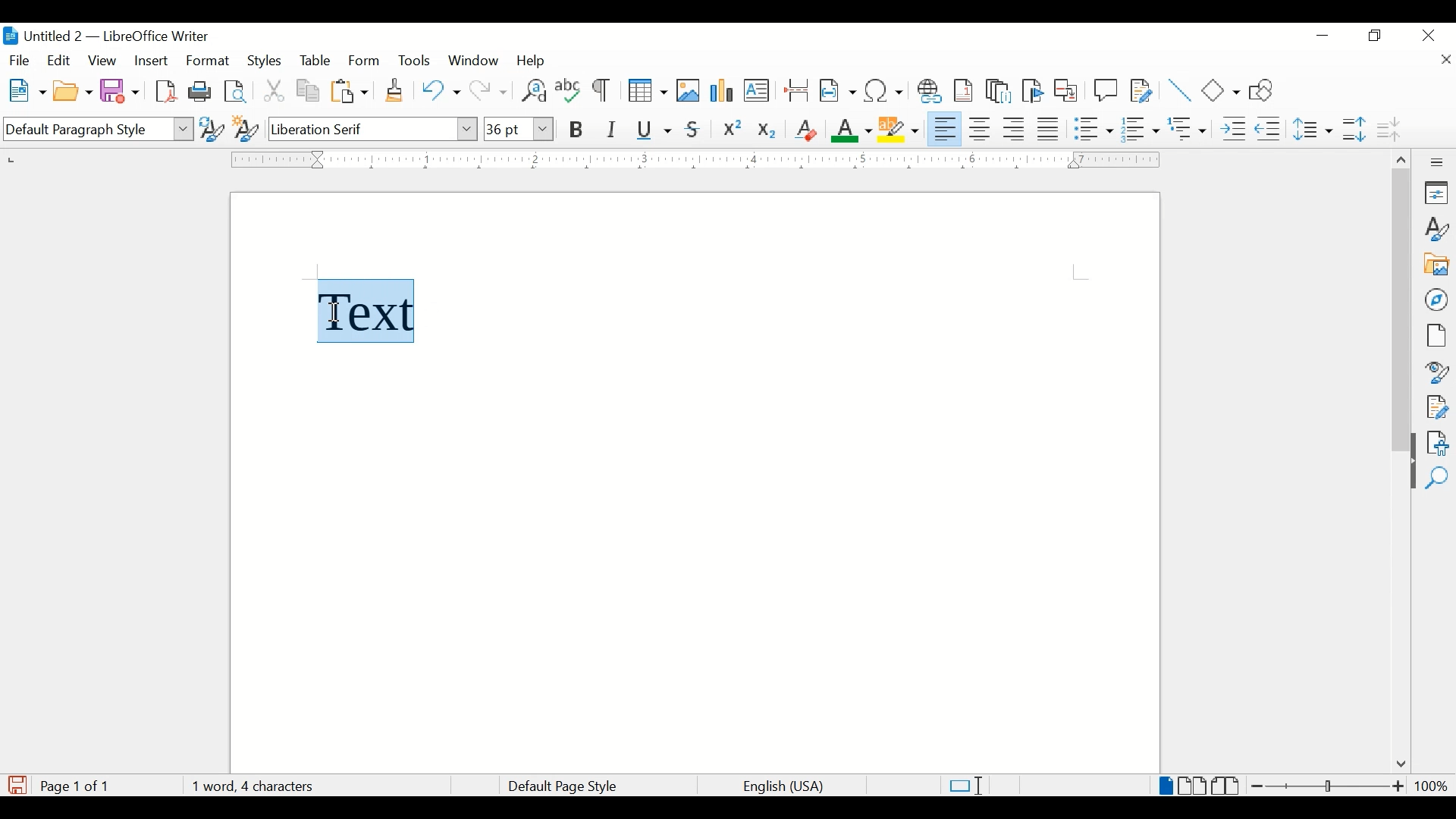 This screenshot has width=1456, height=819. I want to click on underline, so click(654, 130).